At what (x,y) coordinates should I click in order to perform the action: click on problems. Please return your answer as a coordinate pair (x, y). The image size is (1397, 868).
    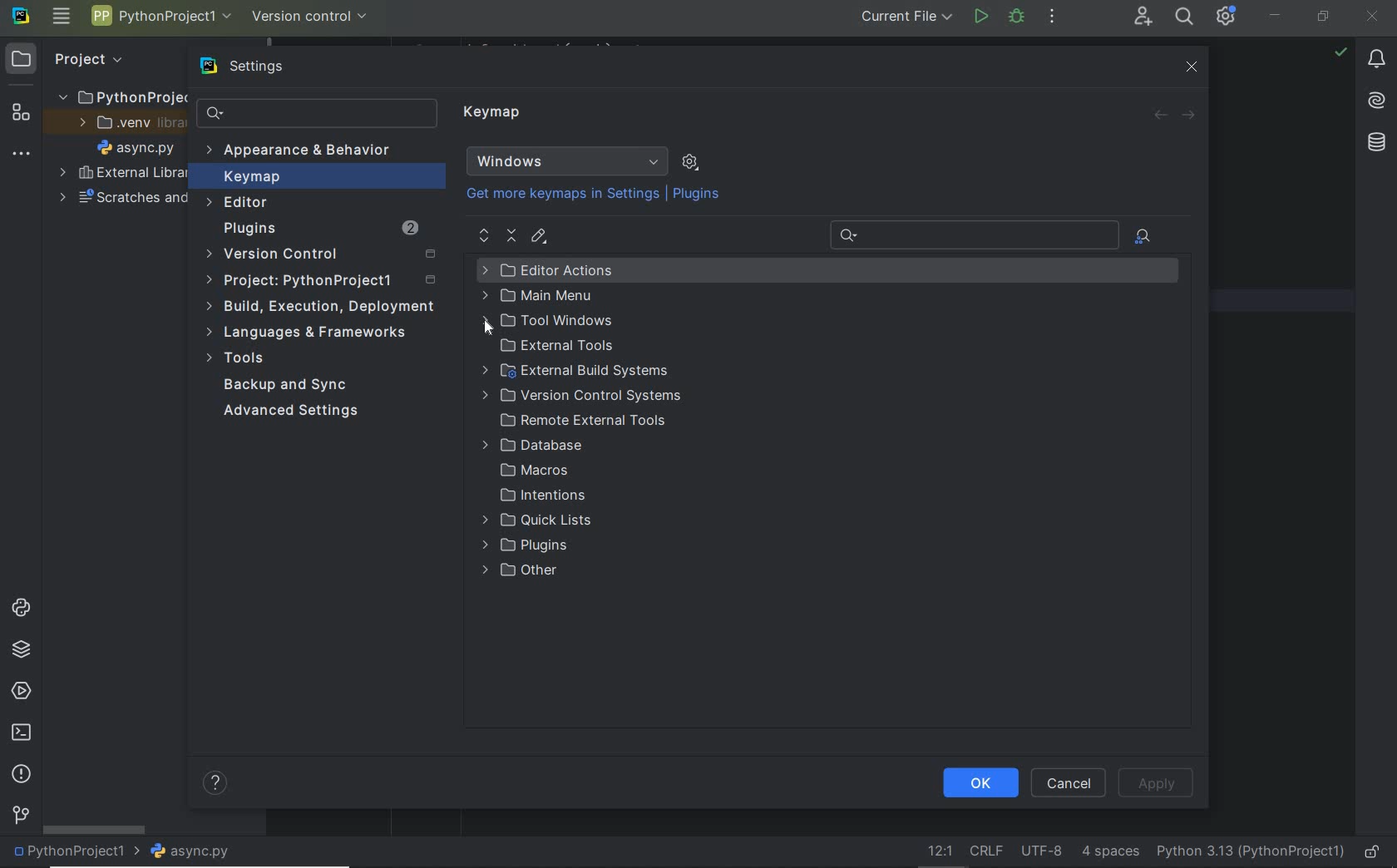
    Looking at the image, I should click on (21, 775).